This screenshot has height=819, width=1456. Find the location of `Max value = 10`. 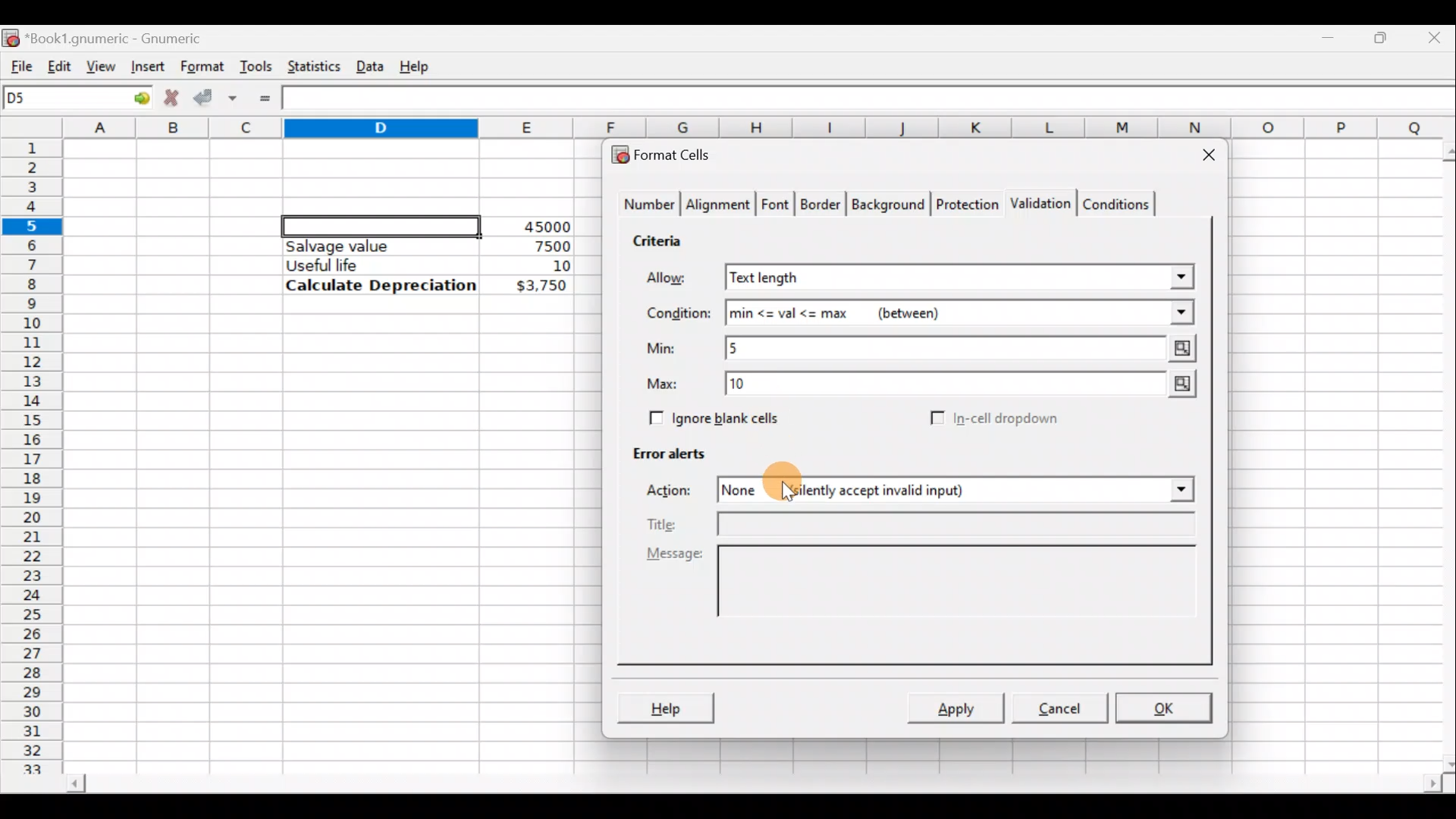

Max value = 10 is located at coordinates (965, 387).